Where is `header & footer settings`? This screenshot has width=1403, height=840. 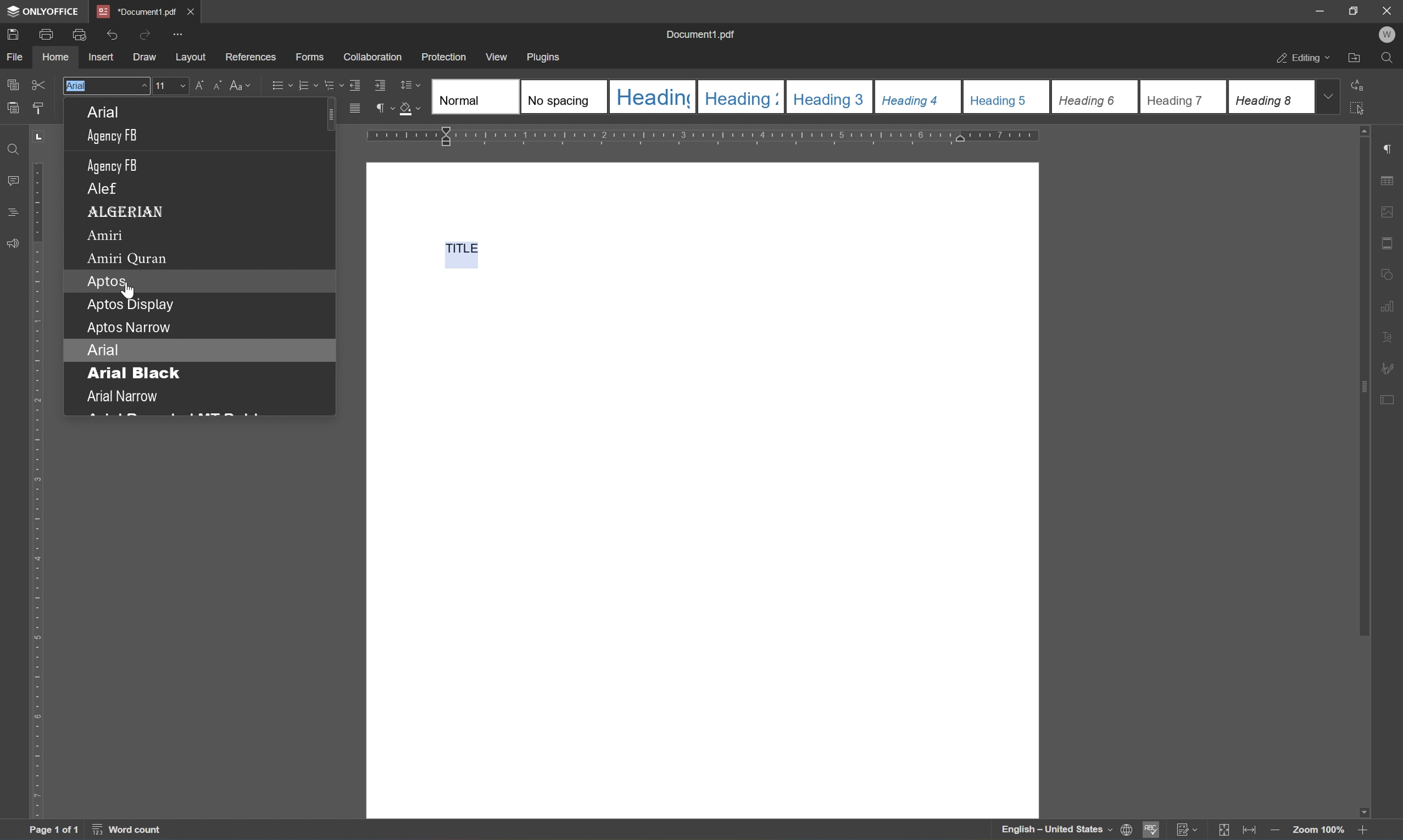
header & footer settings is located at coordinates (1390, 243).